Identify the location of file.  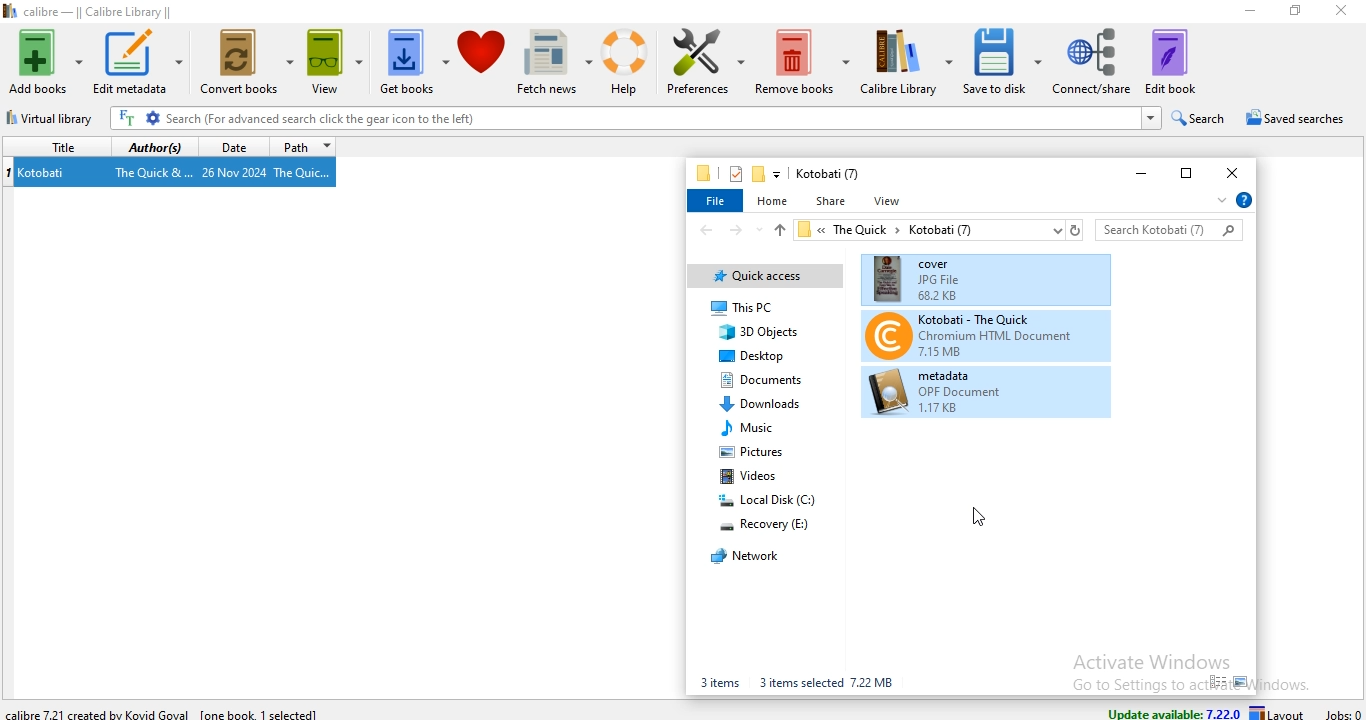
(716, 202).